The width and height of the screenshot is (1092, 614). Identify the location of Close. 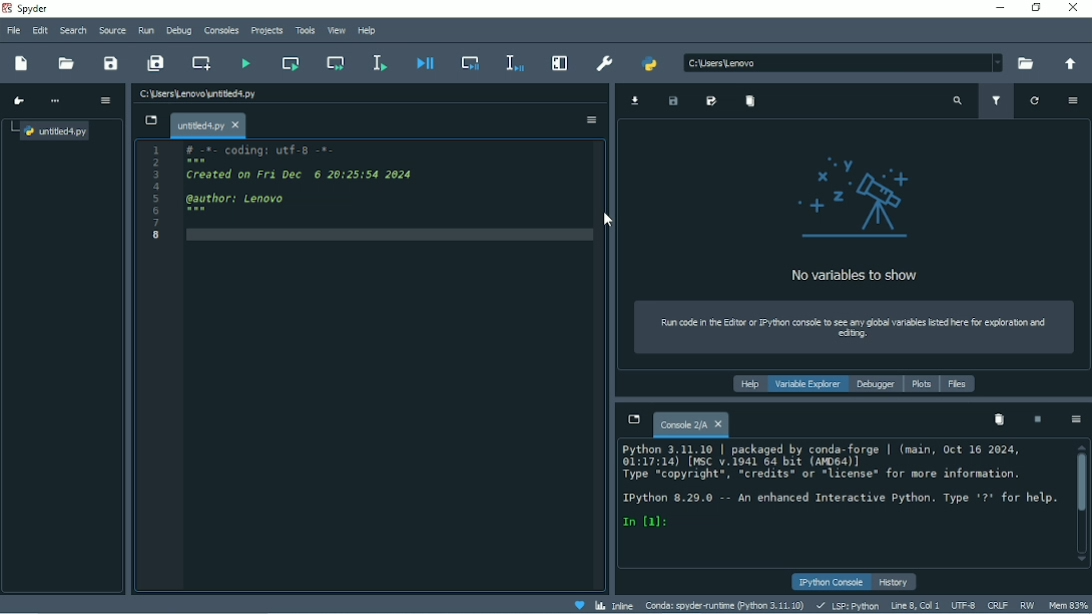
(1076, 8).